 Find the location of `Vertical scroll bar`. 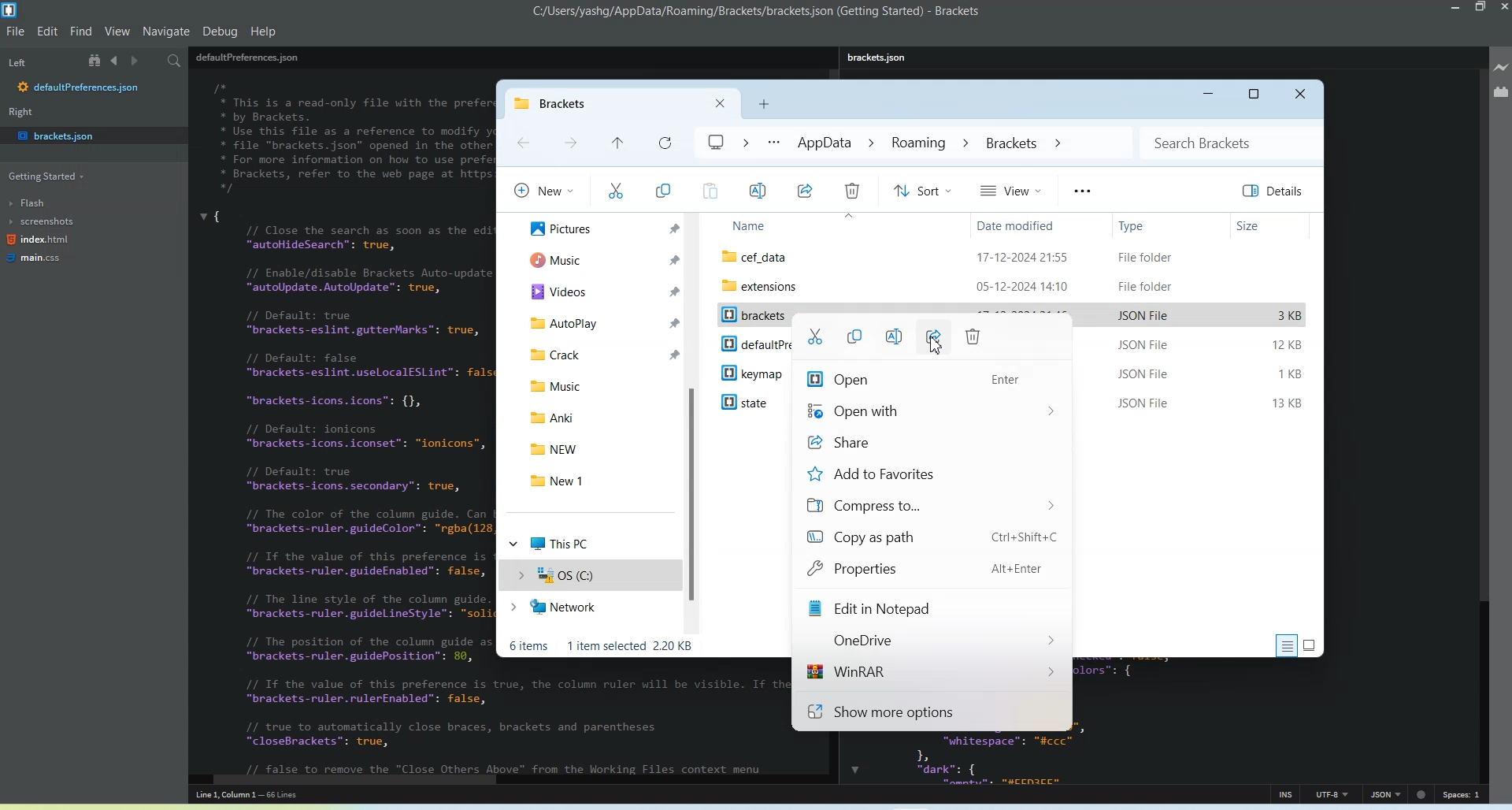

Vertical scroll bar is located at coordinates (694, 423).